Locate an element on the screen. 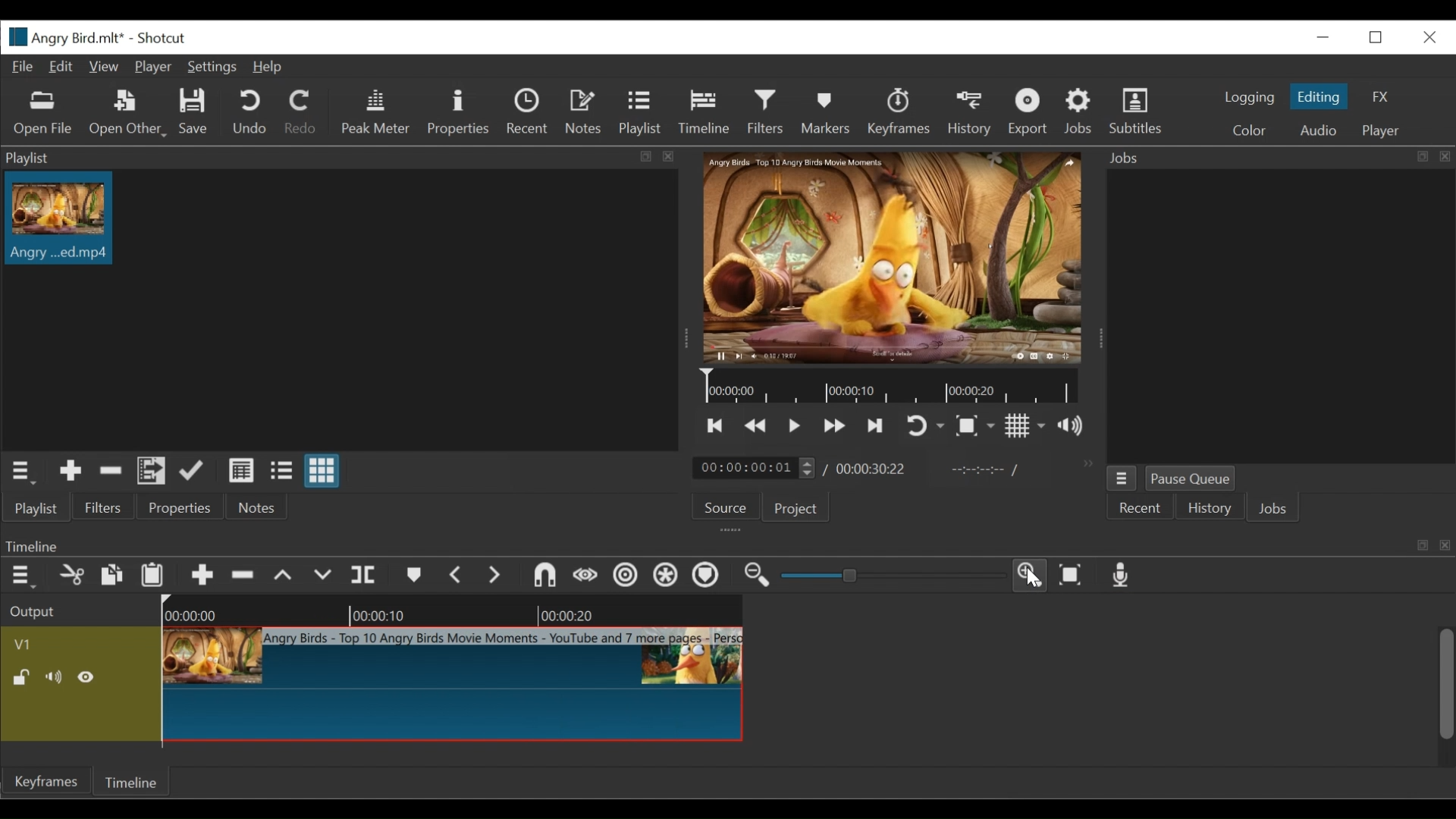 This screenshot has width=1456, height=819. Ripple all tracks is located at coordinates (664, 575).